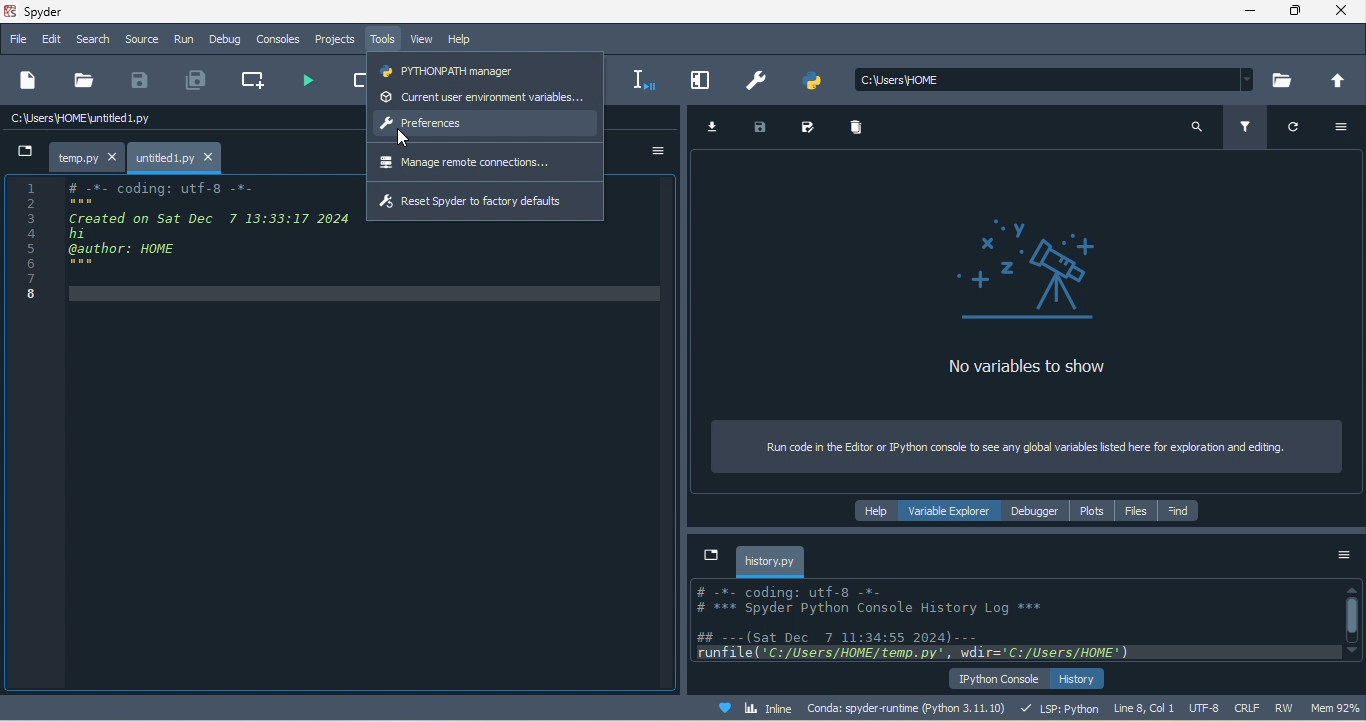 Image resolution: width=1366 pixels, height=722 pixels. What do you see at coordinates (184, 40) in the screenshot?
I see `run` at bounding box center [184, 40].